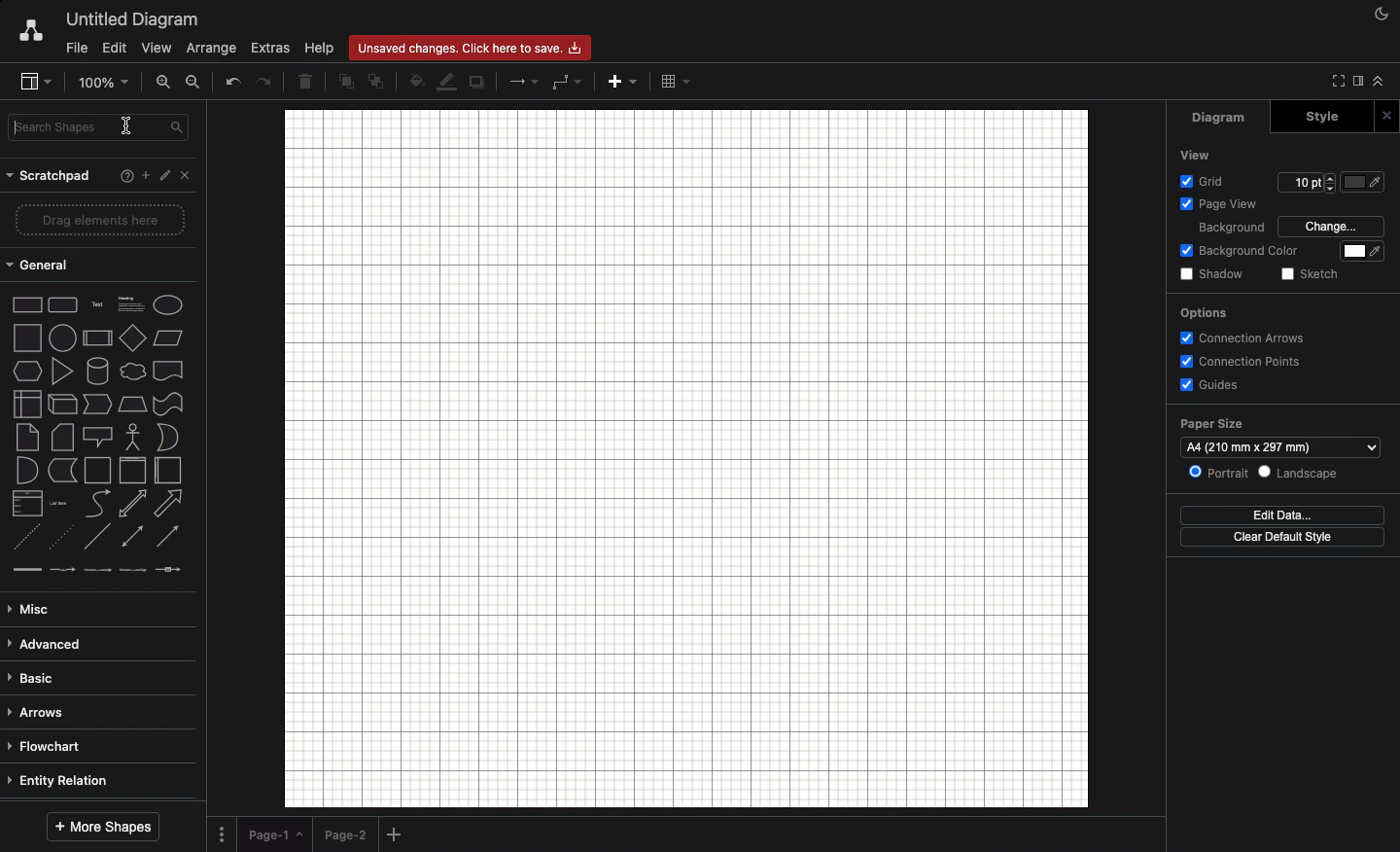  What do you see at coordinates (104, 470) in the screenshot?
I see `shapes` at bounding box center [104, 470].